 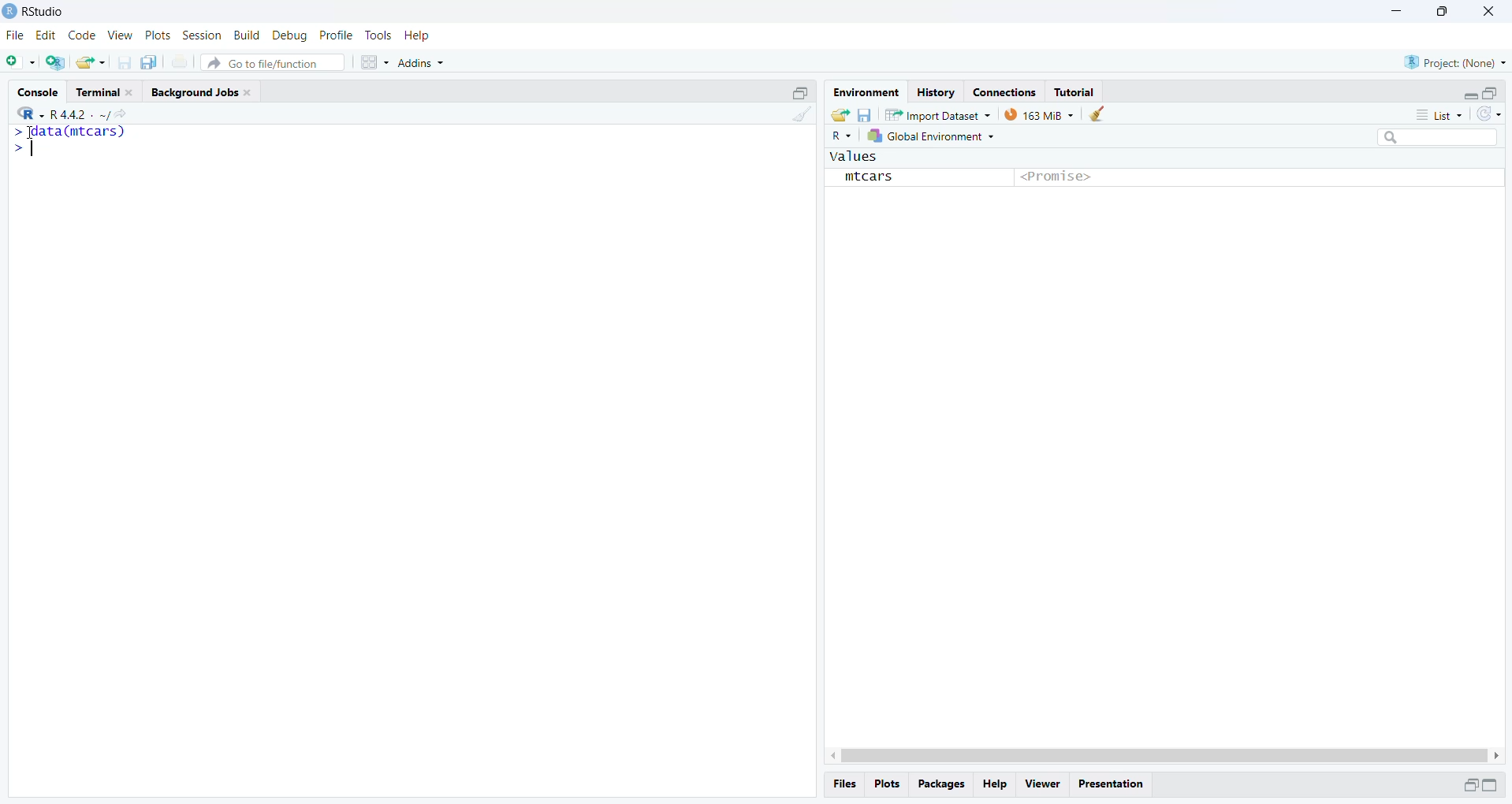 What do you see at coordinates (1039, 115) in the screenshot?
I see `163 MiB` at bounding box center [1039, 115].